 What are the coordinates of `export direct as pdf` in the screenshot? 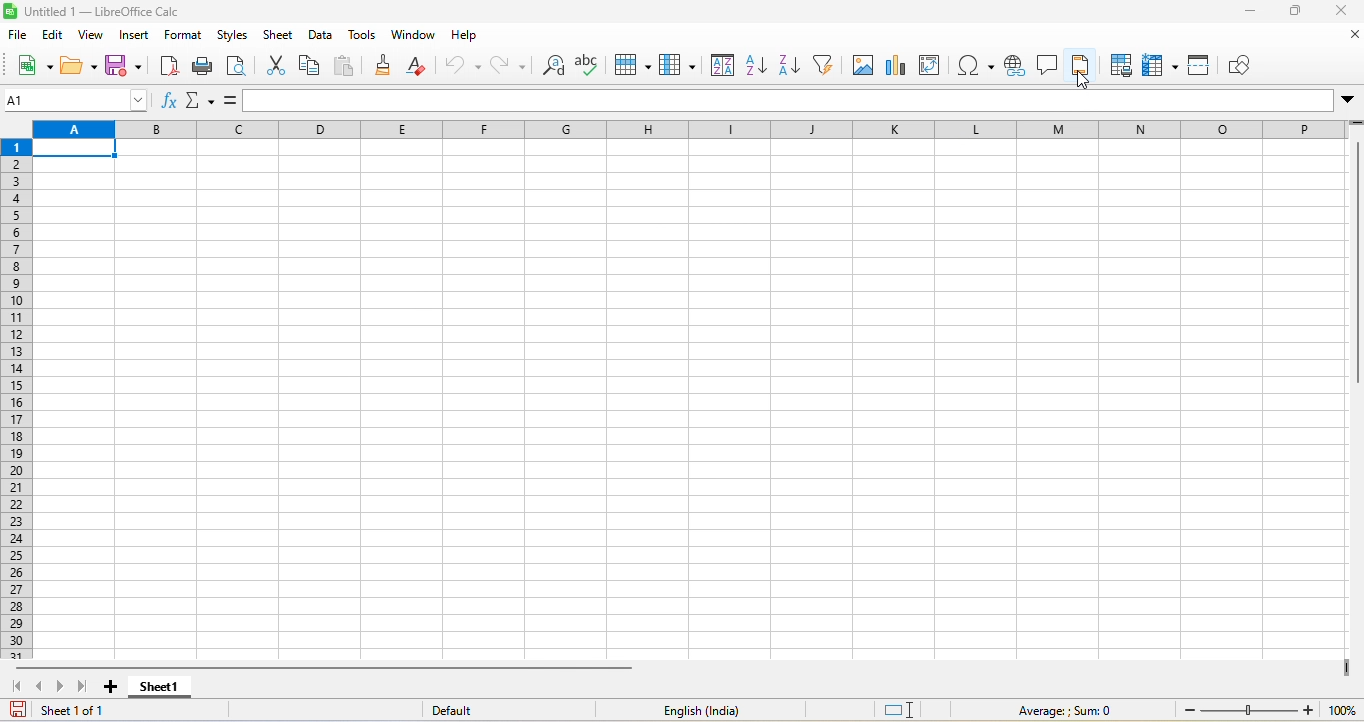 It's located at (165, 70).